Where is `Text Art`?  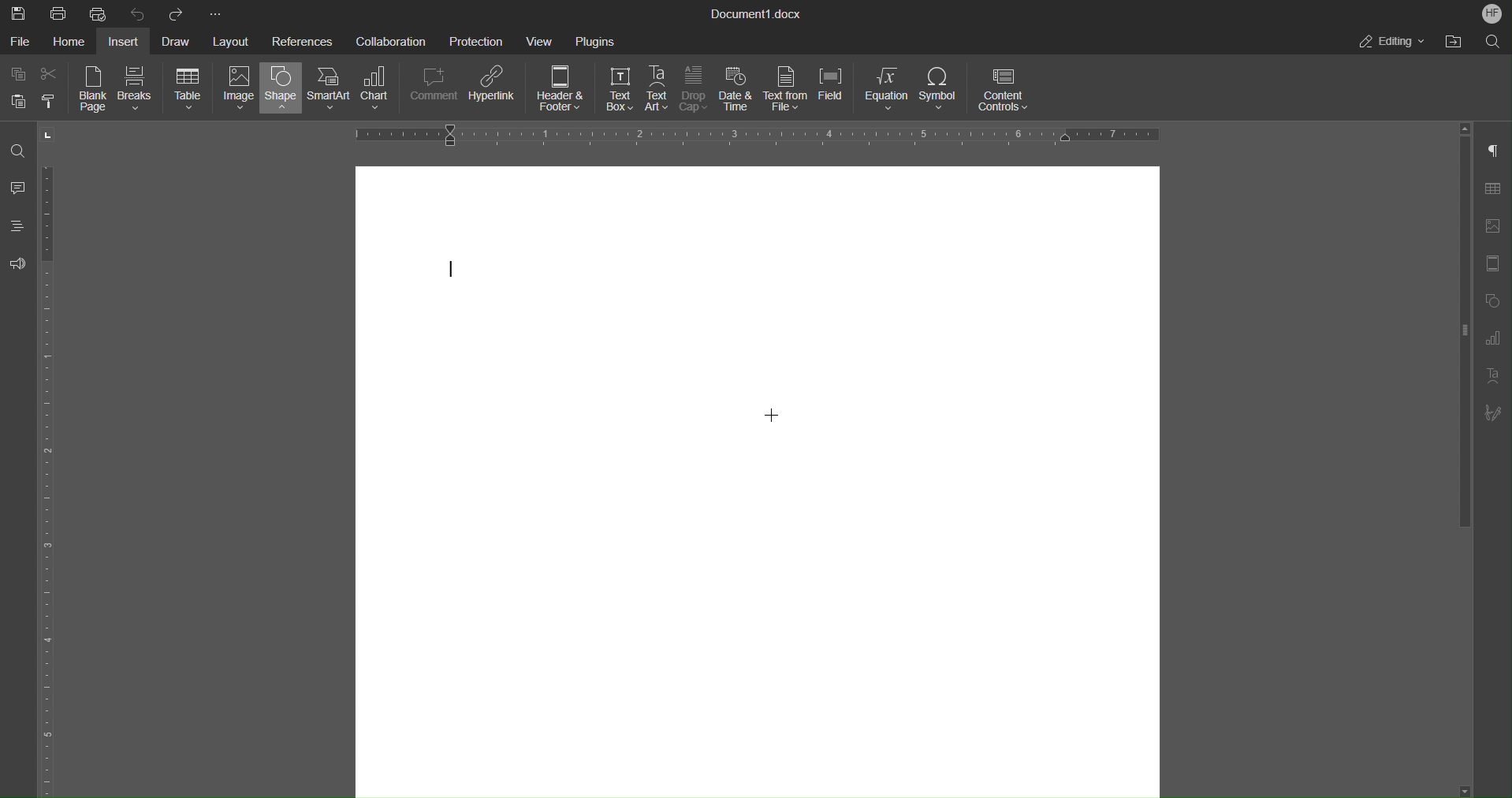
Text Art is located at coordinates (1496, 376).